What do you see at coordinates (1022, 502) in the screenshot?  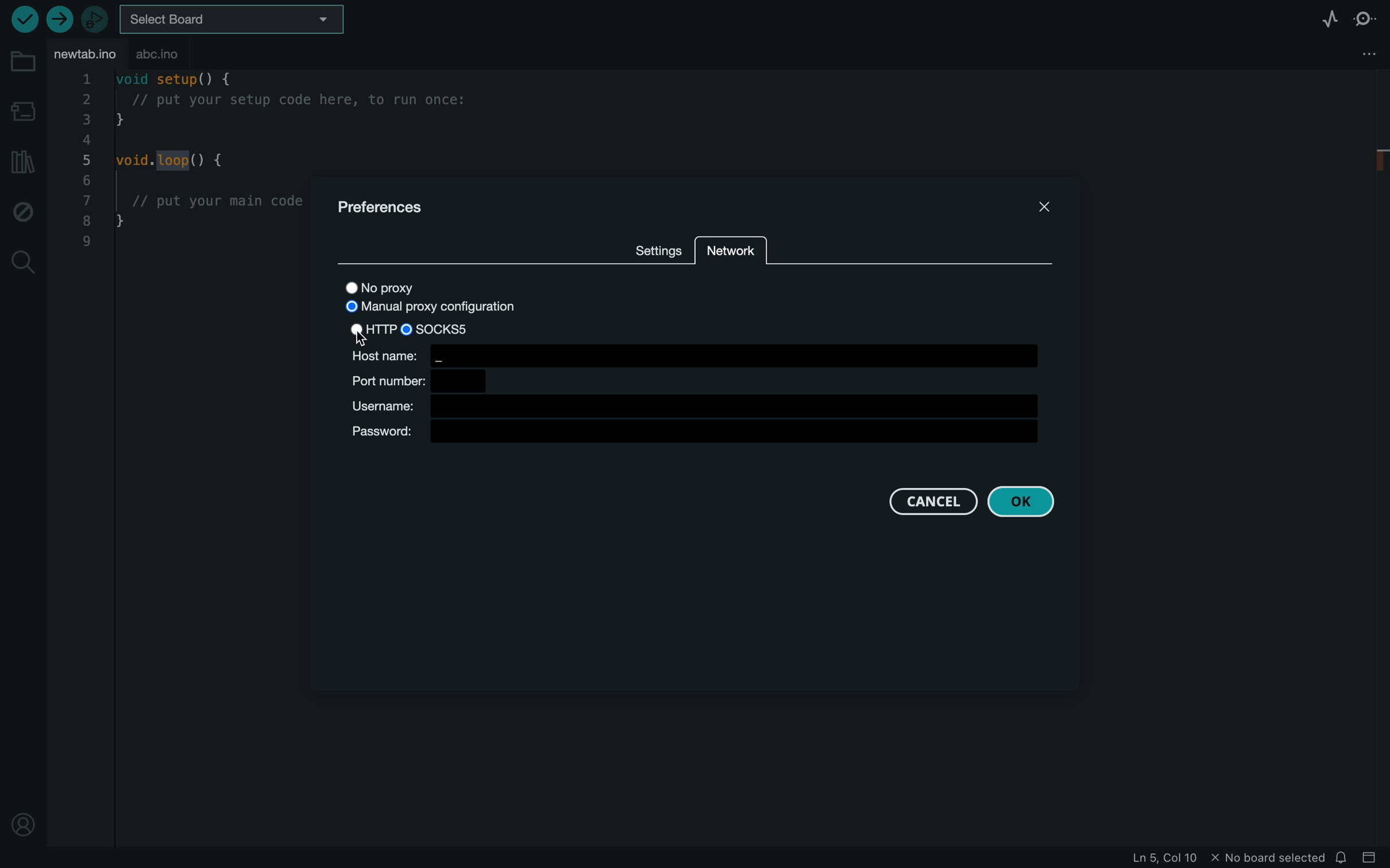 I see `ok` at bounding box center [1022, 502].